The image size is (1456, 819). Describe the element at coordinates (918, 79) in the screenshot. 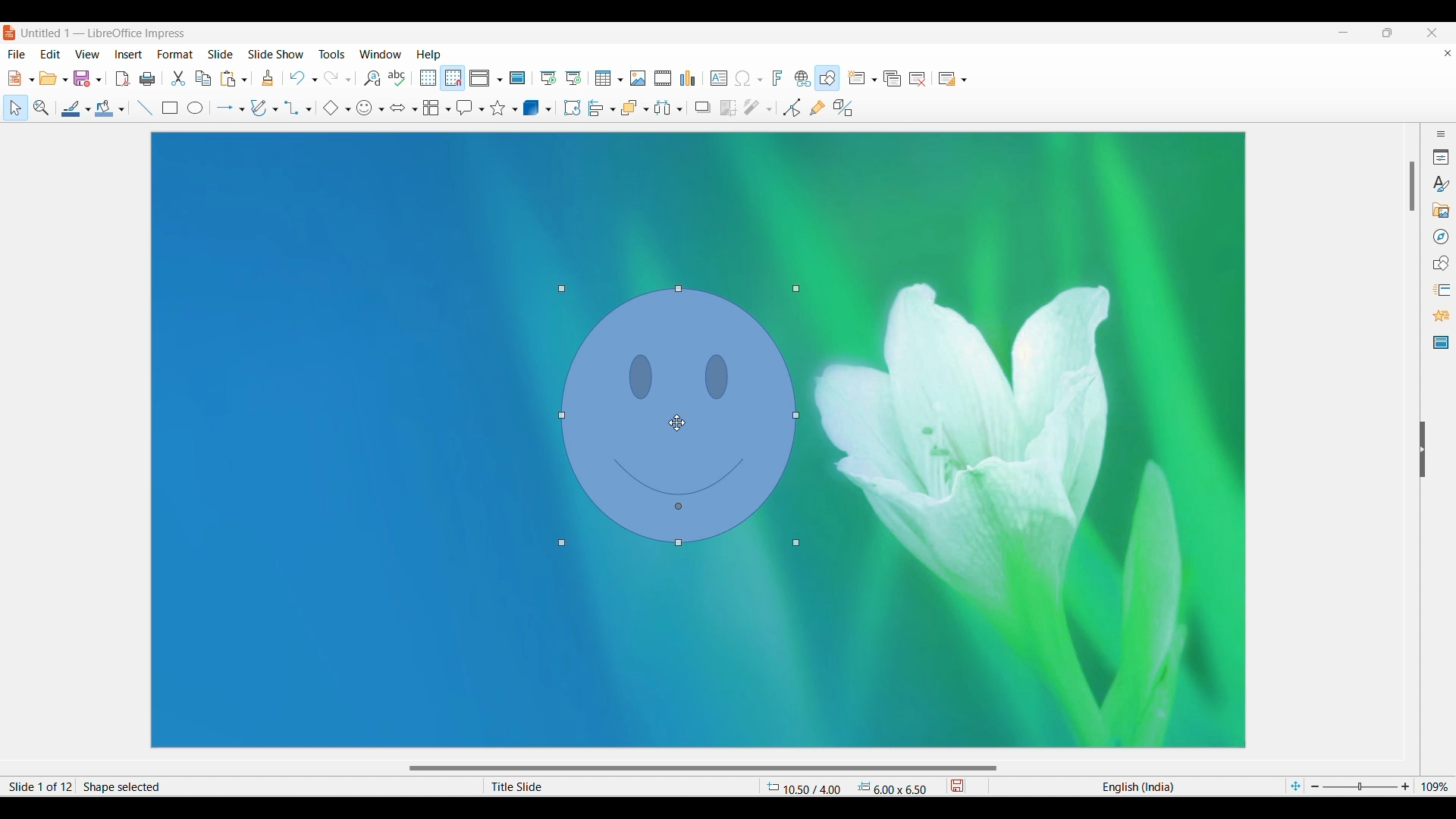

I see `Delete slide` at that location.